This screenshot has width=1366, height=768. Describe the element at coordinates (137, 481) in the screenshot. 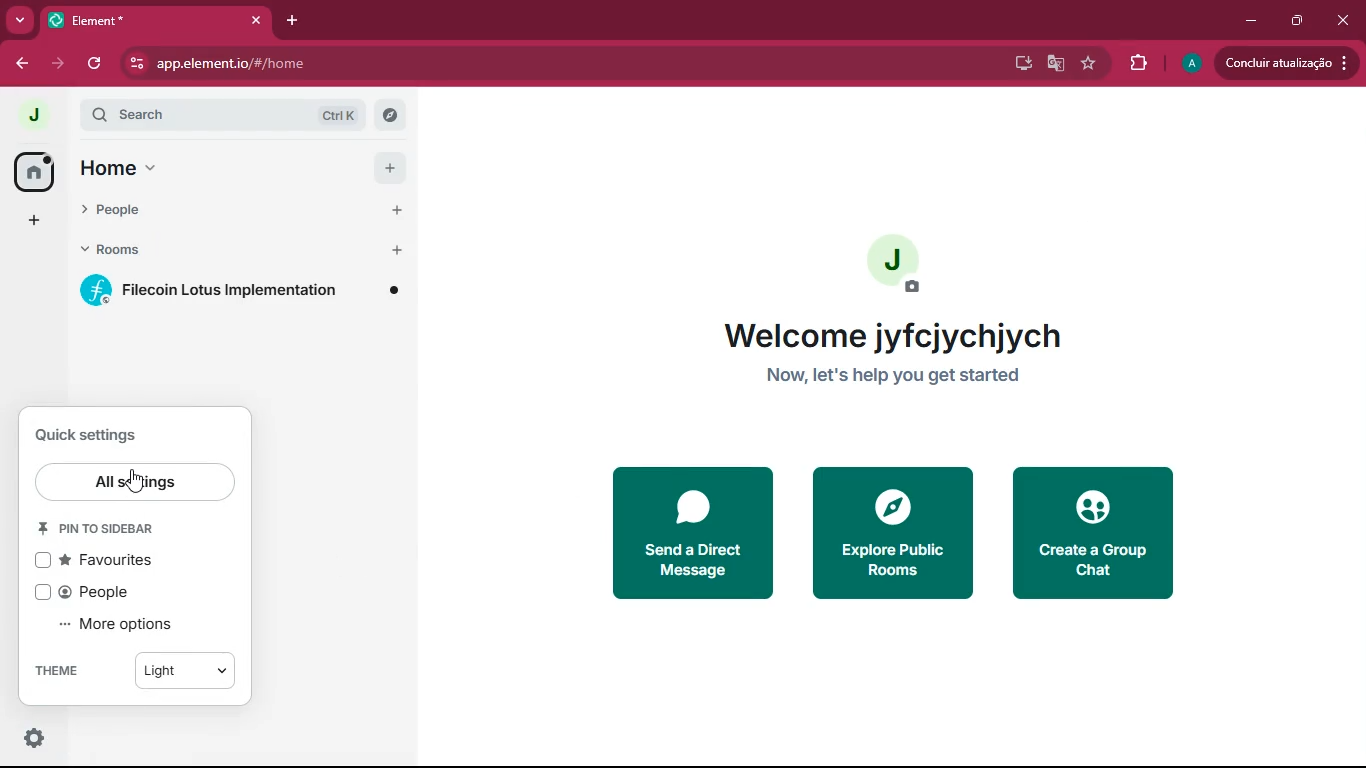

I see `cursor` at that location.